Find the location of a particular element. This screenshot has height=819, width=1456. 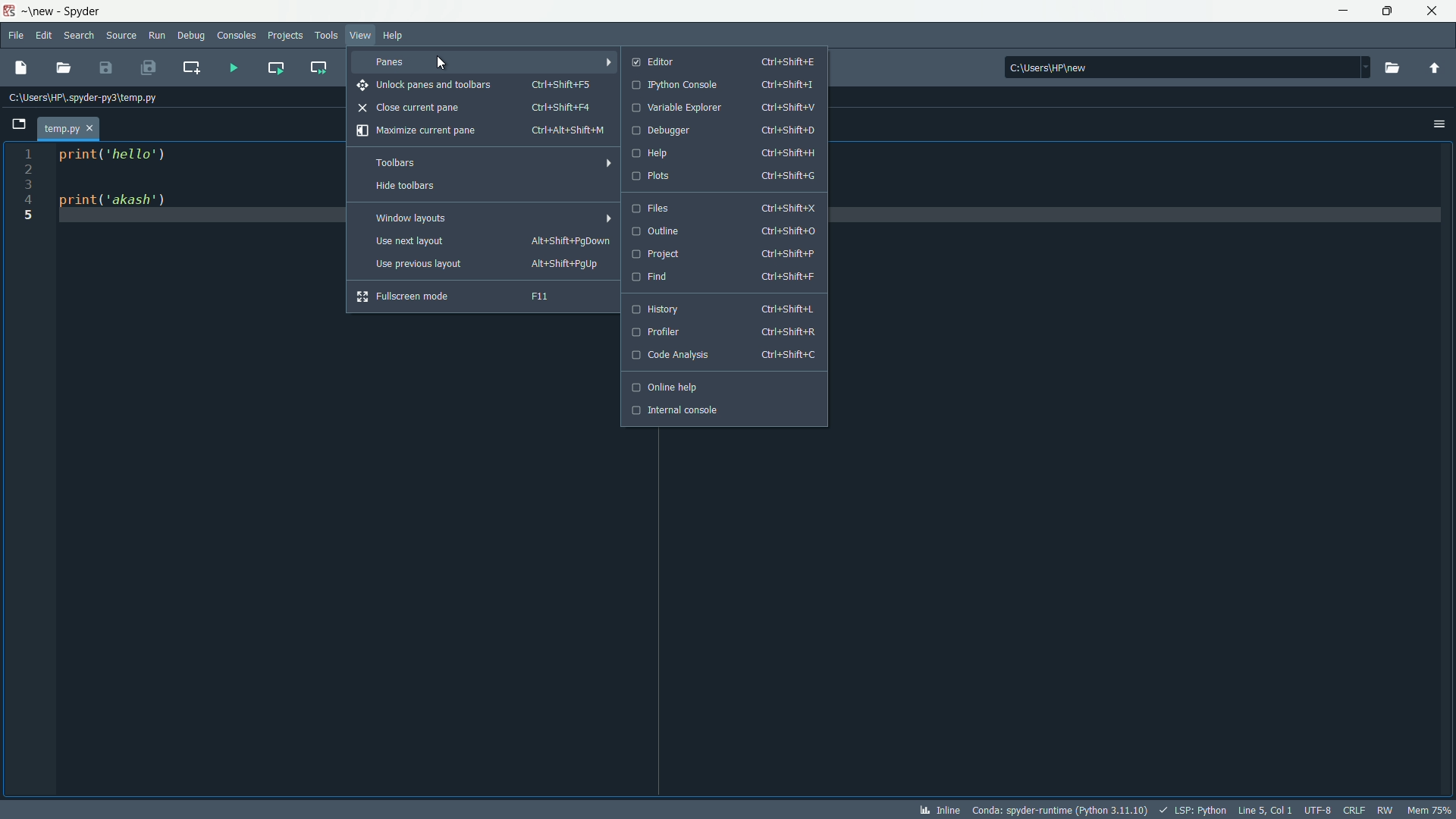

run file is located at coordinates (231, 65).